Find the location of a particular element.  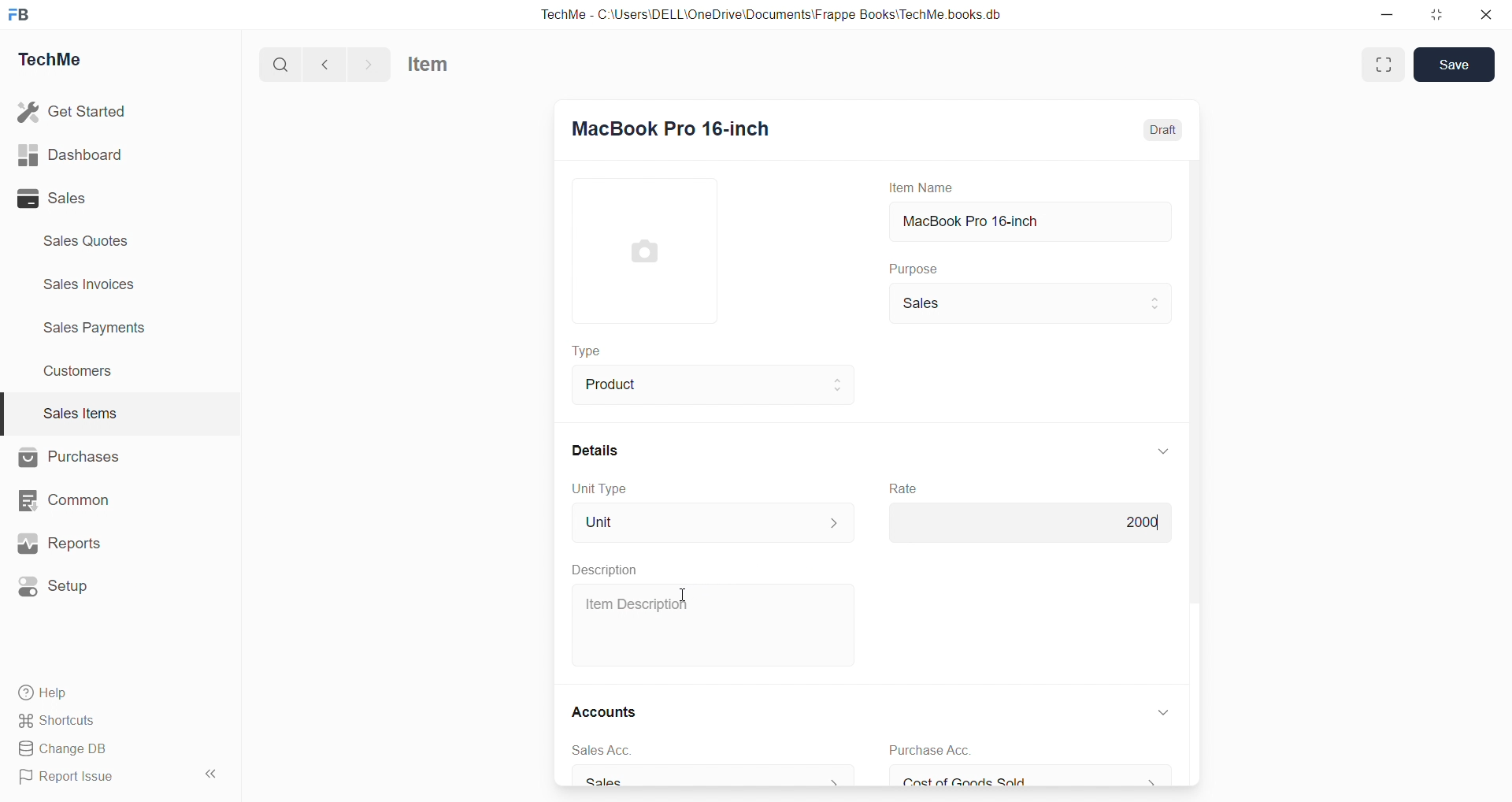

Shortcuts is located at coordinates (60, 721).